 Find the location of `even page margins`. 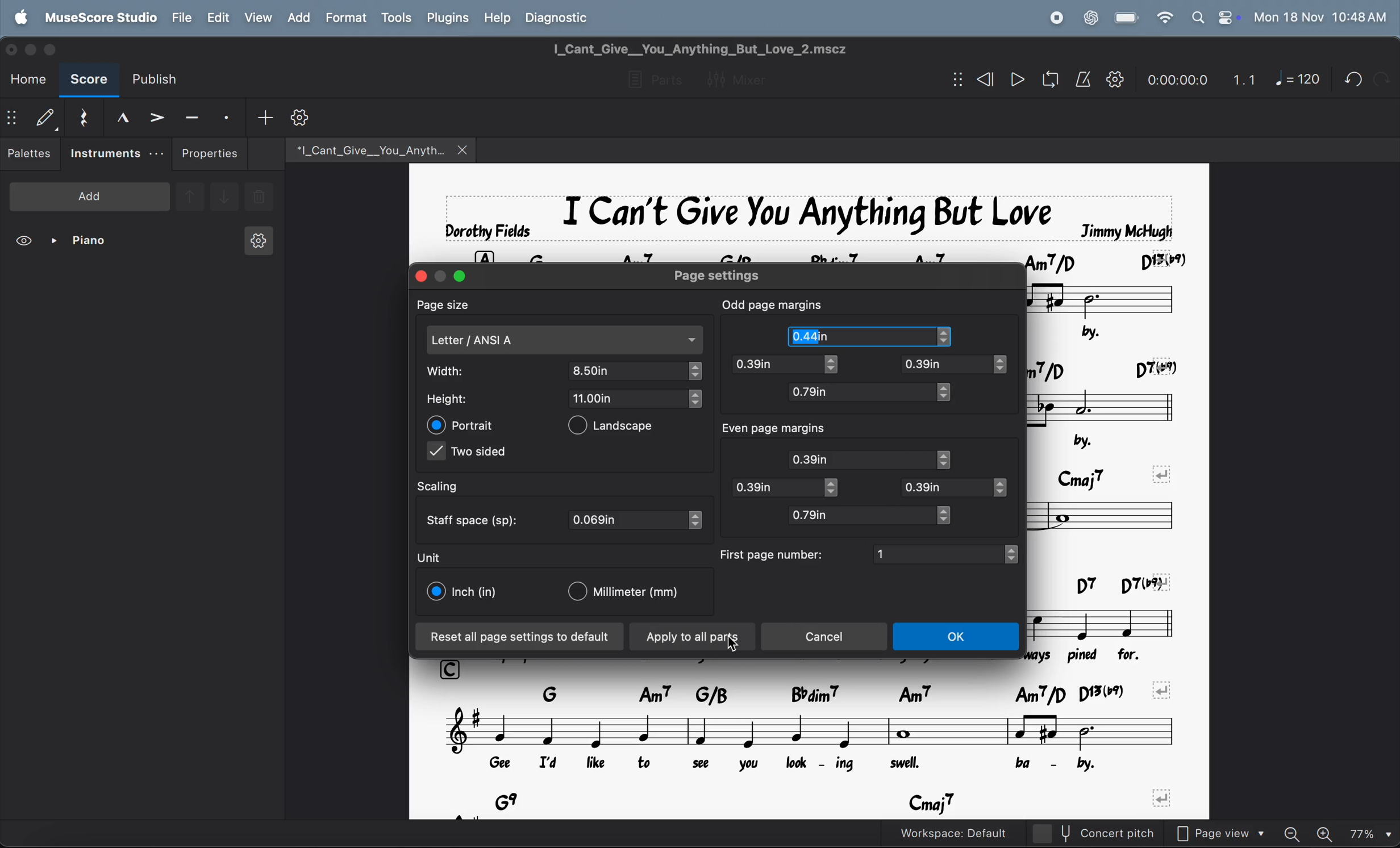

even page margins is located at coordinates (787, 429).